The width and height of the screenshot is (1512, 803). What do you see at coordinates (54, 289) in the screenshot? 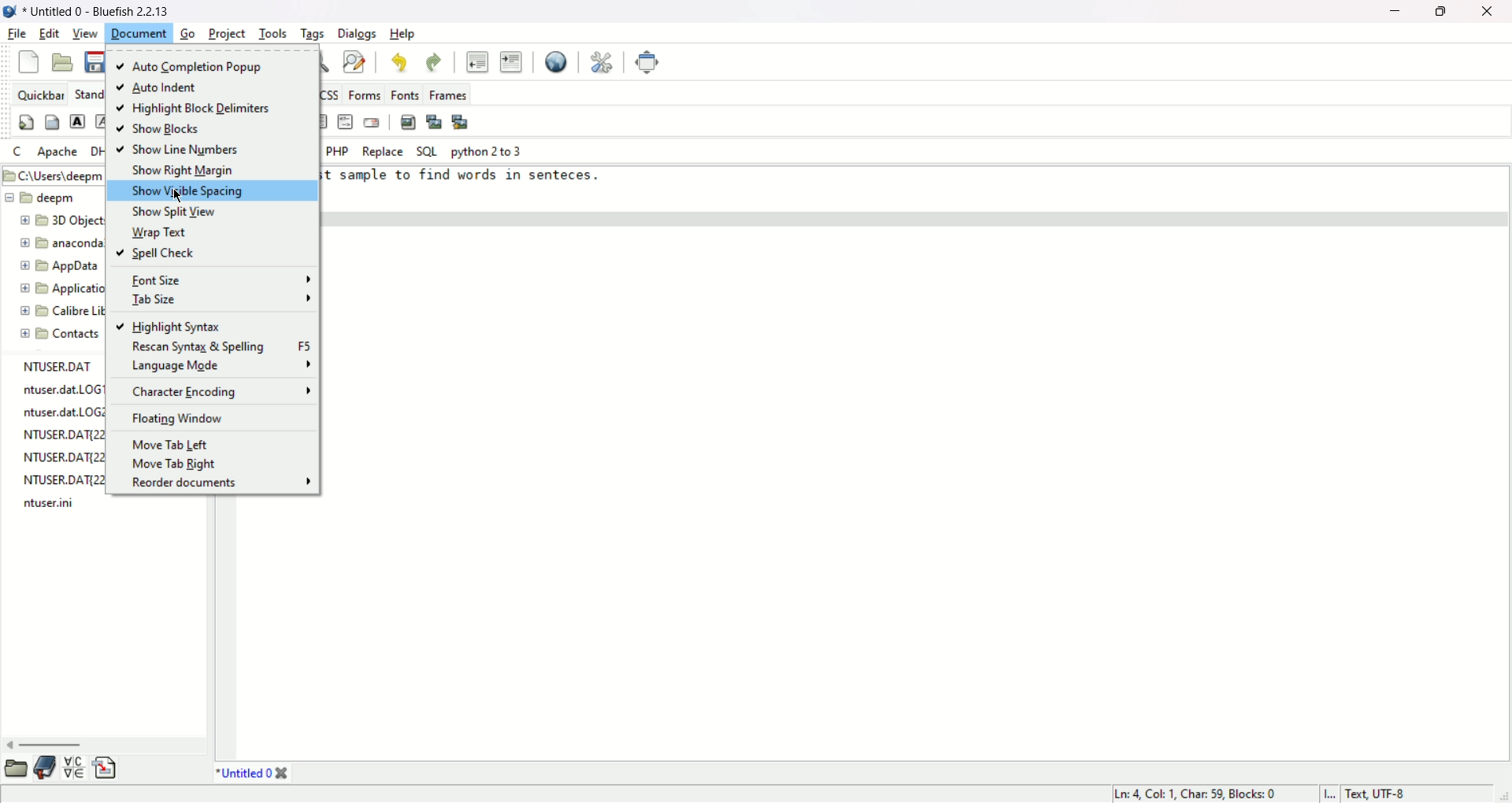
I see `Application Data` at bounding box center [54, 289].